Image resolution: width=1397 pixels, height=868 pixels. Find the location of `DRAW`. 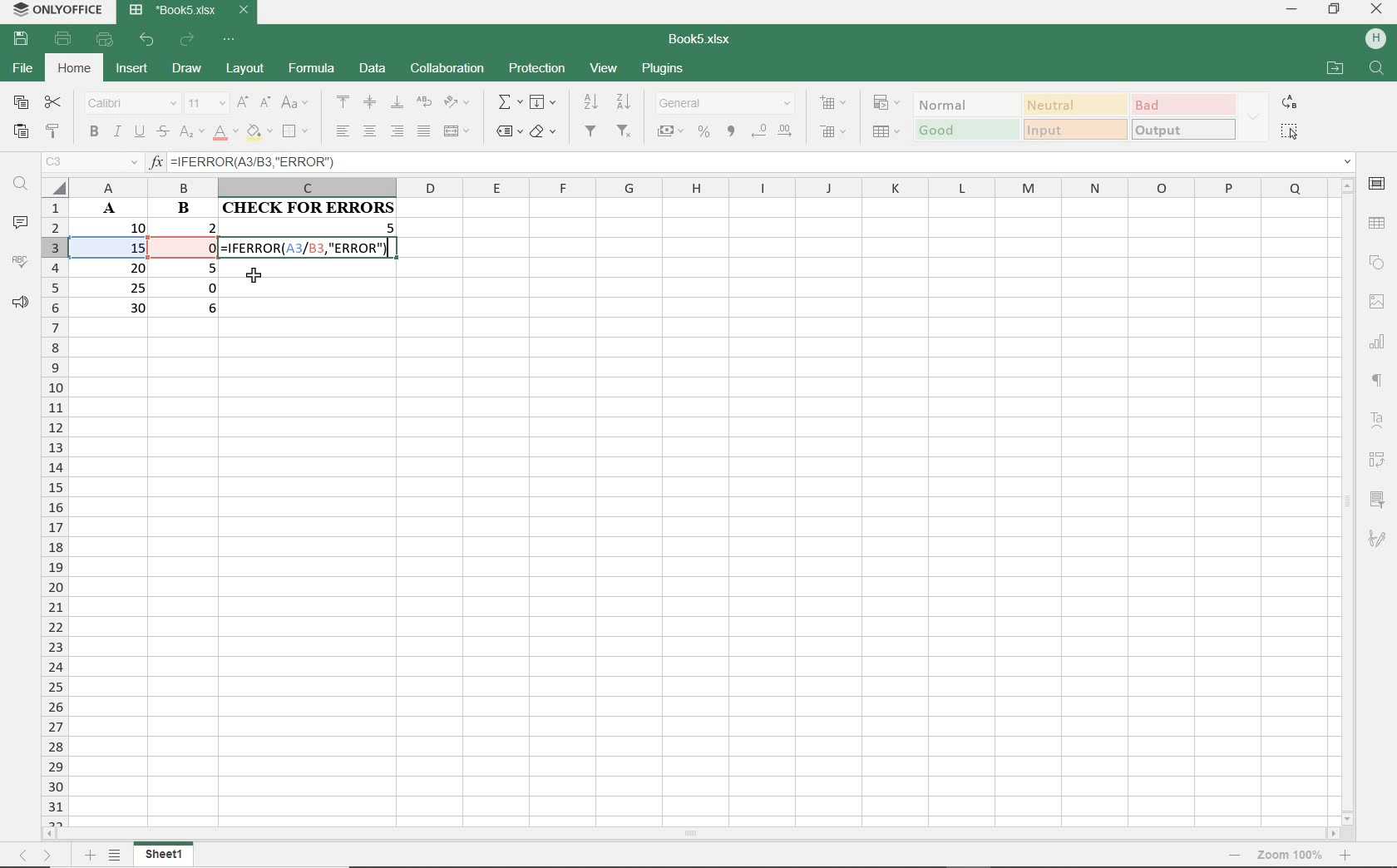

DRAW is located at coordinates (188, 71).